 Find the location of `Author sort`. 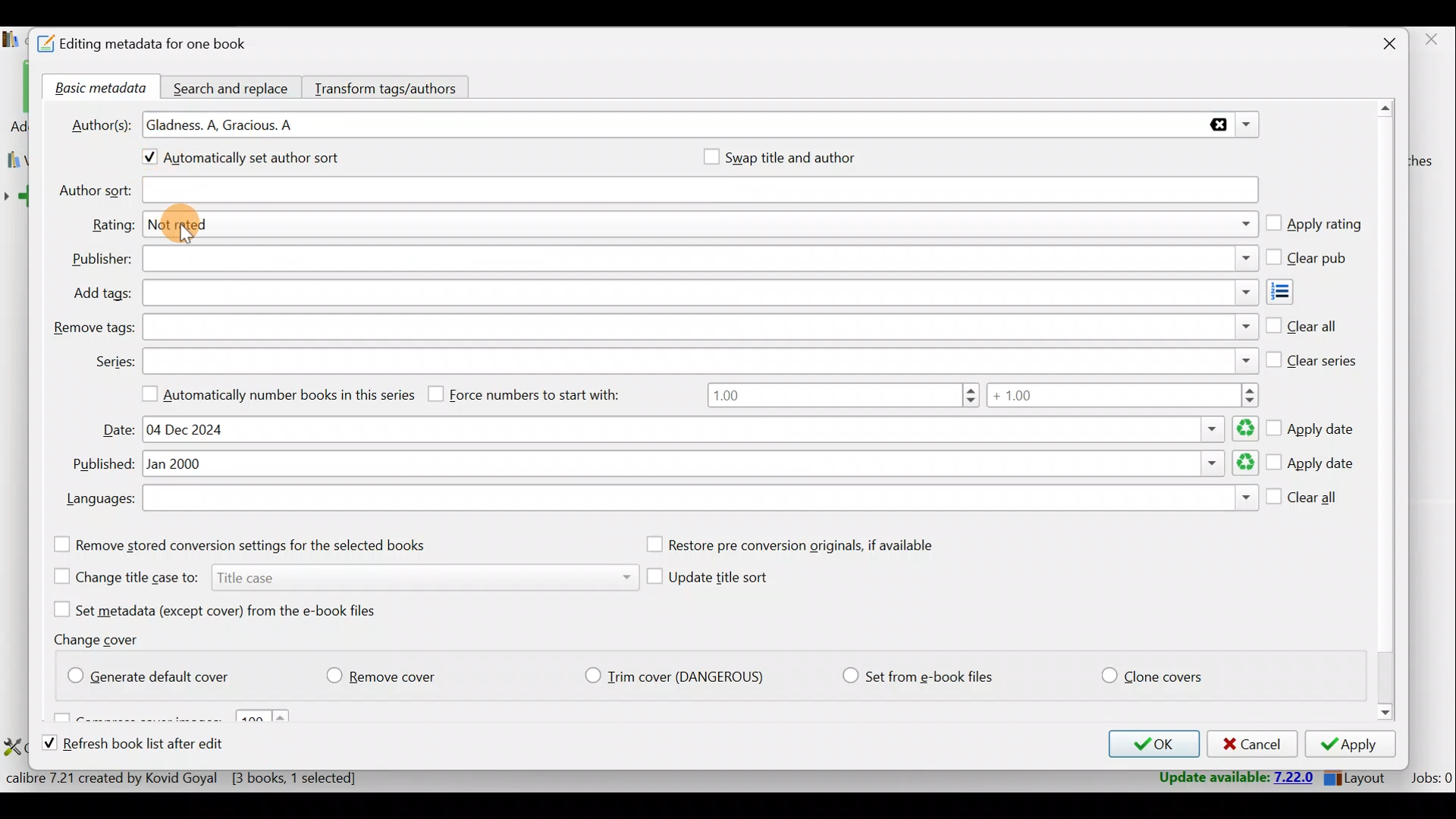

Author sort is located at coordinates (699, 191).